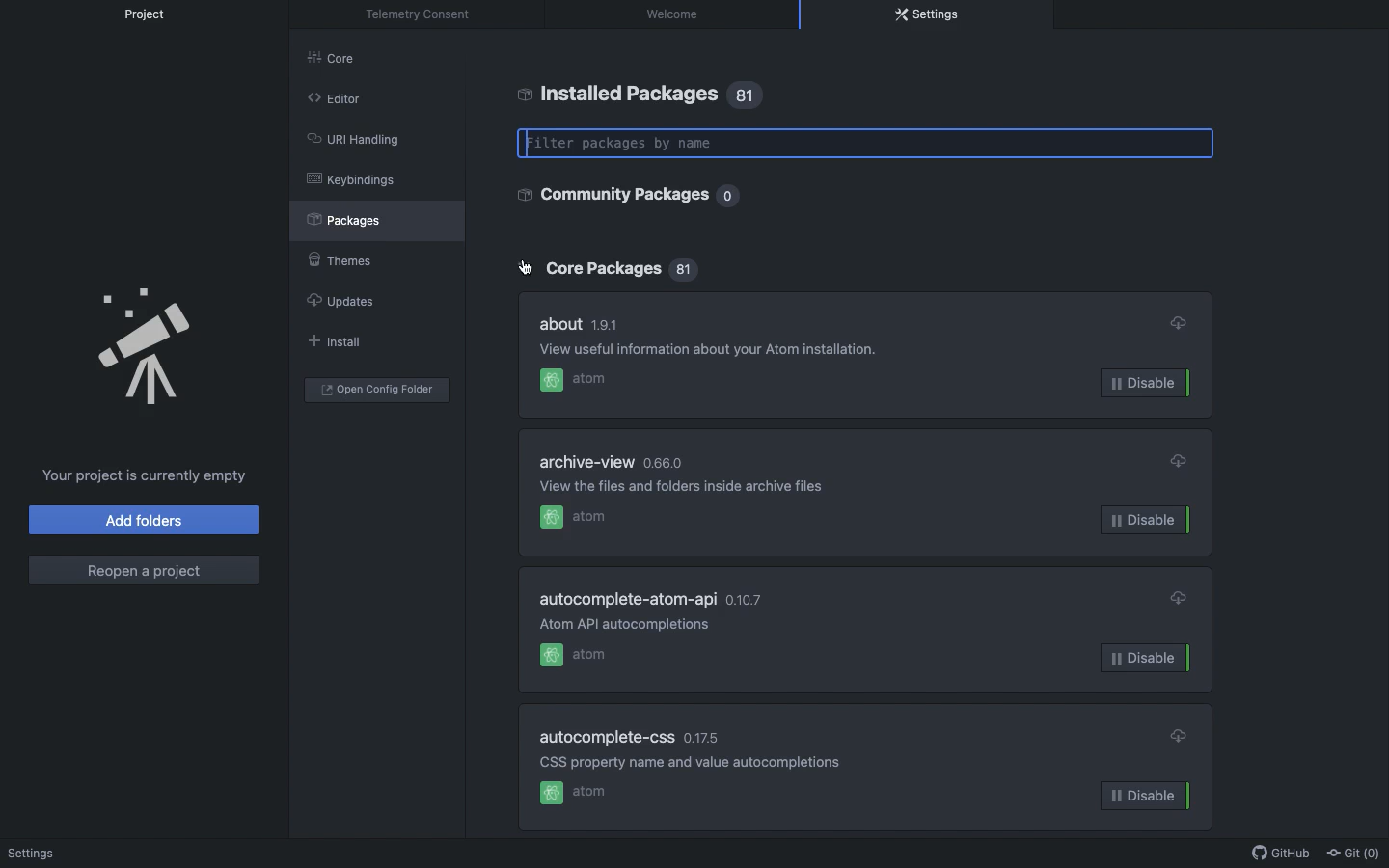  What do you see at coordinates (143, 571) in the screenshot?
I see `Reopen a project` at bounding box center [143, 571].